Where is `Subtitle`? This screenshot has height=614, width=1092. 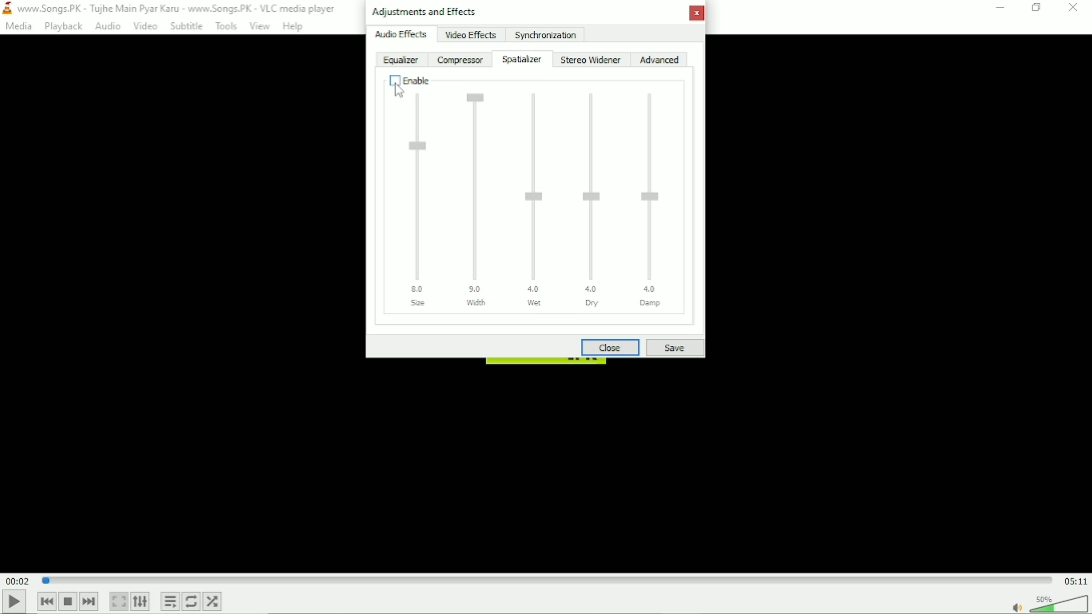
Subtitle is located at coordinates (186, 27).